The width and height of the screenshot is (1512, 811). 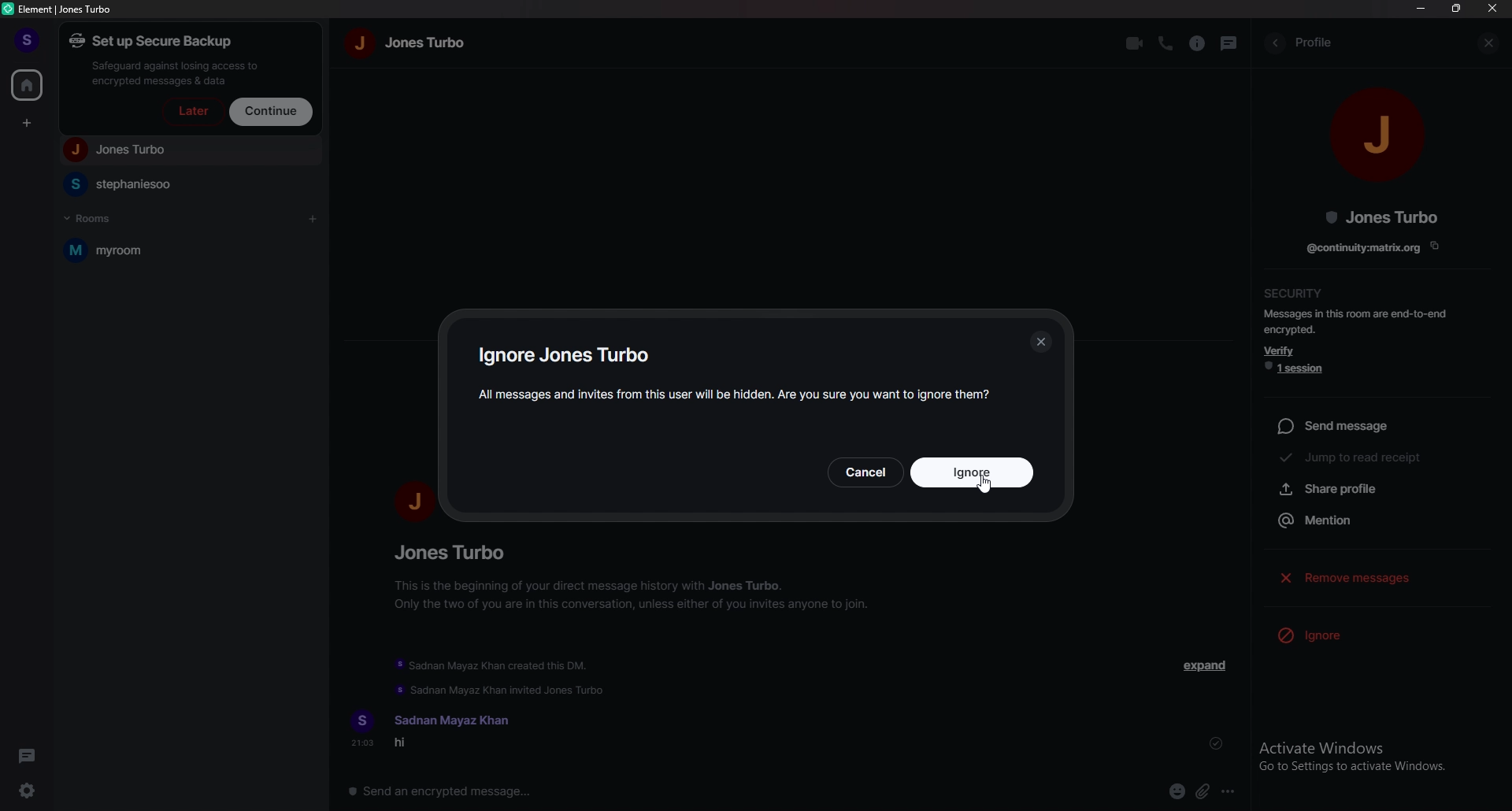 What do you see at coordinates (30, 756) in the screenshot?
I see `threads` at bounding box center [30, 756].